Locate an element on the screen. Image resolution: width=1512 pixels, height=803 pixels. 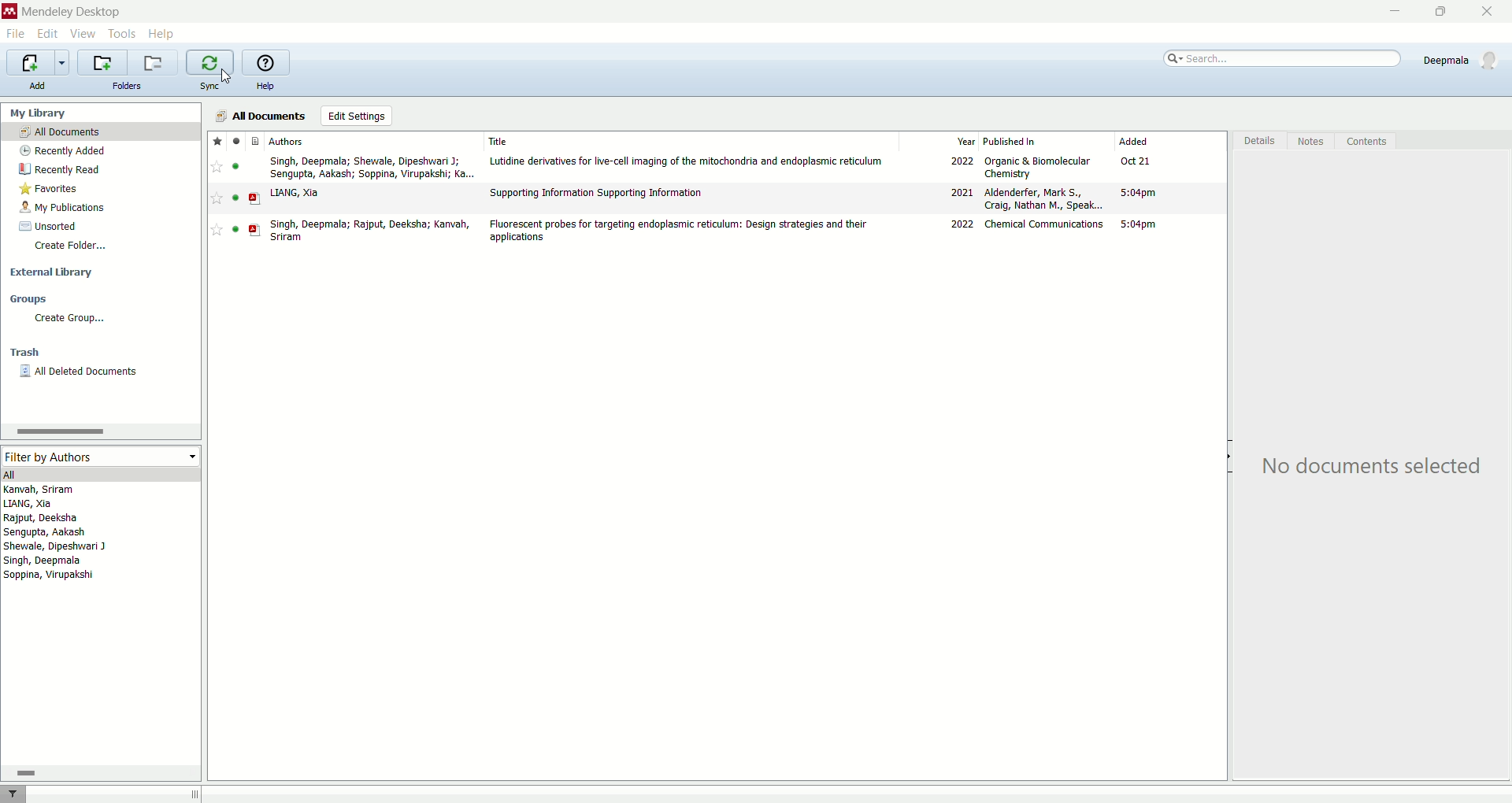
2021 is located at coordinates (961, 193).